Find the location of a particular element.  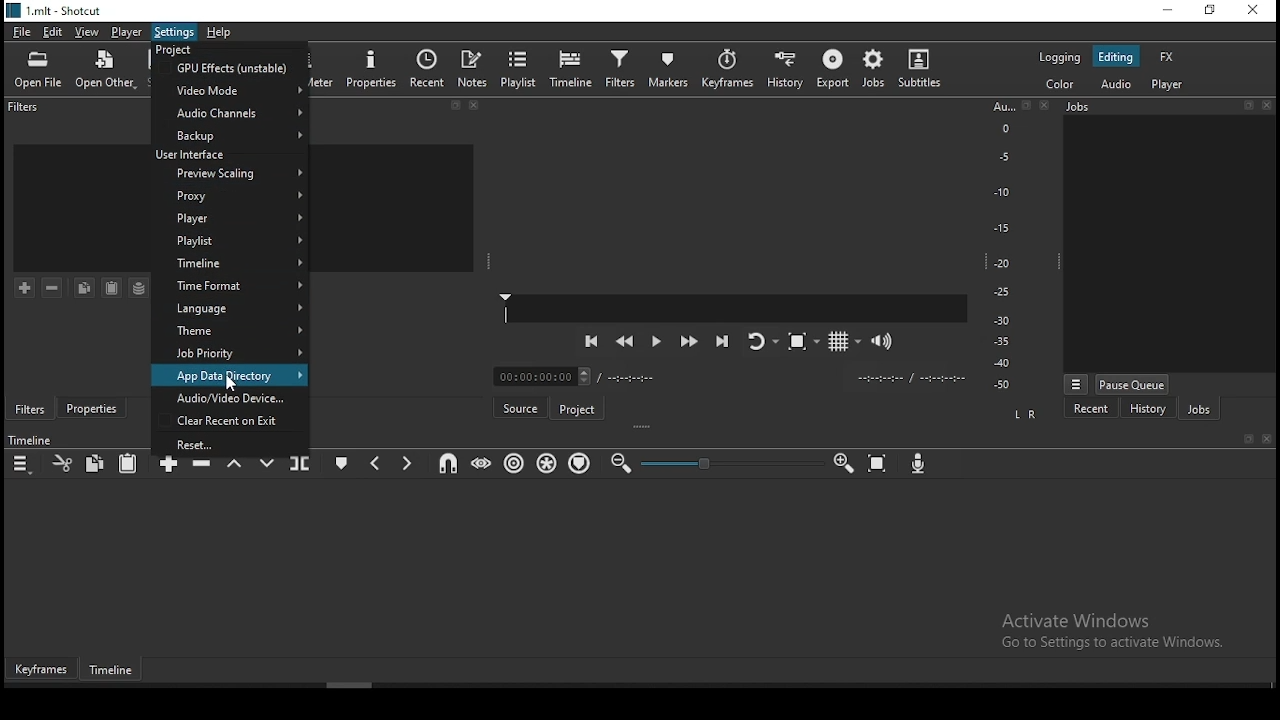

open other is located at coordinates (107, 68).